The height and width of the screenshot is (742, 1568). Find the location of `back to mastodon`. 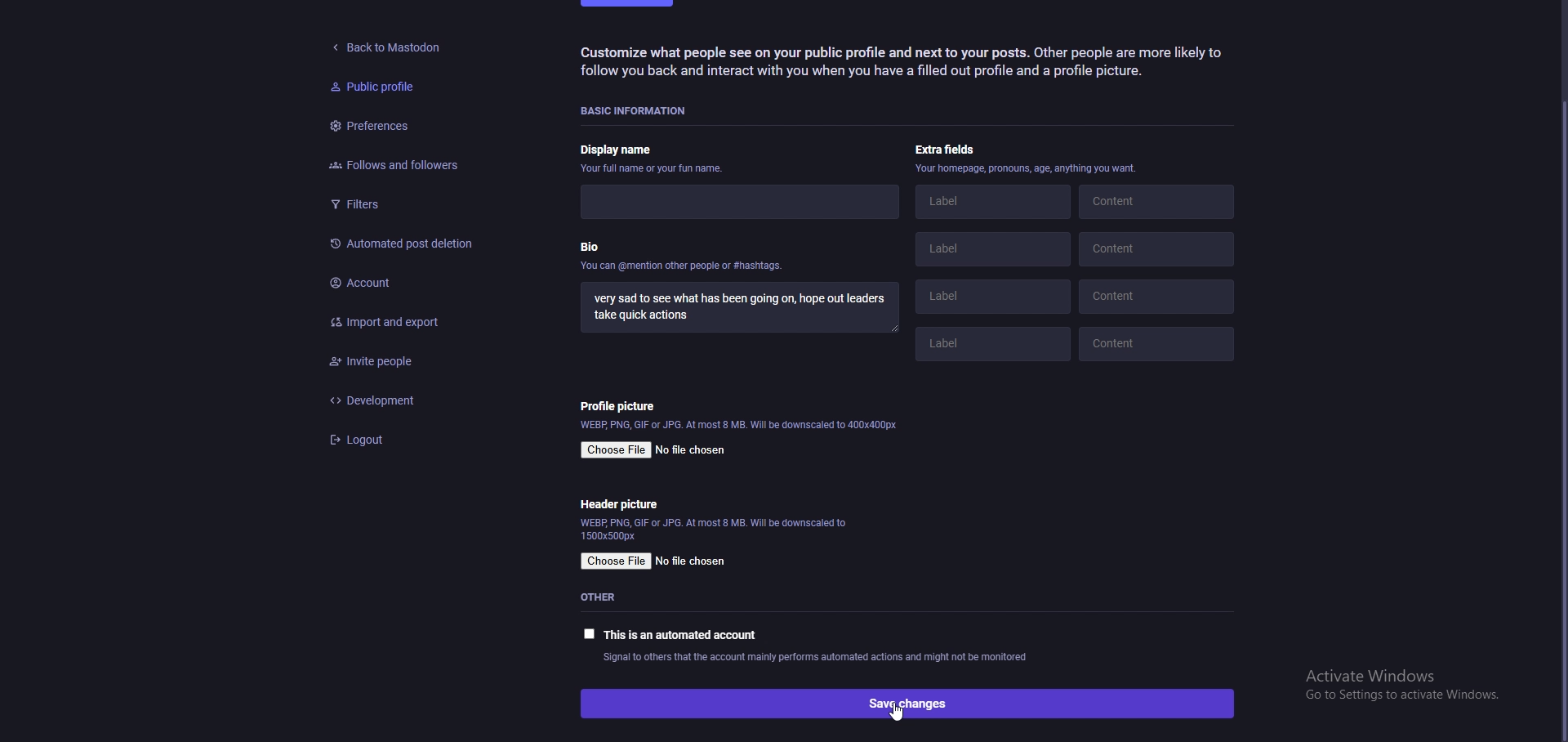

back to mastodon is located at coordinates (390, 43).